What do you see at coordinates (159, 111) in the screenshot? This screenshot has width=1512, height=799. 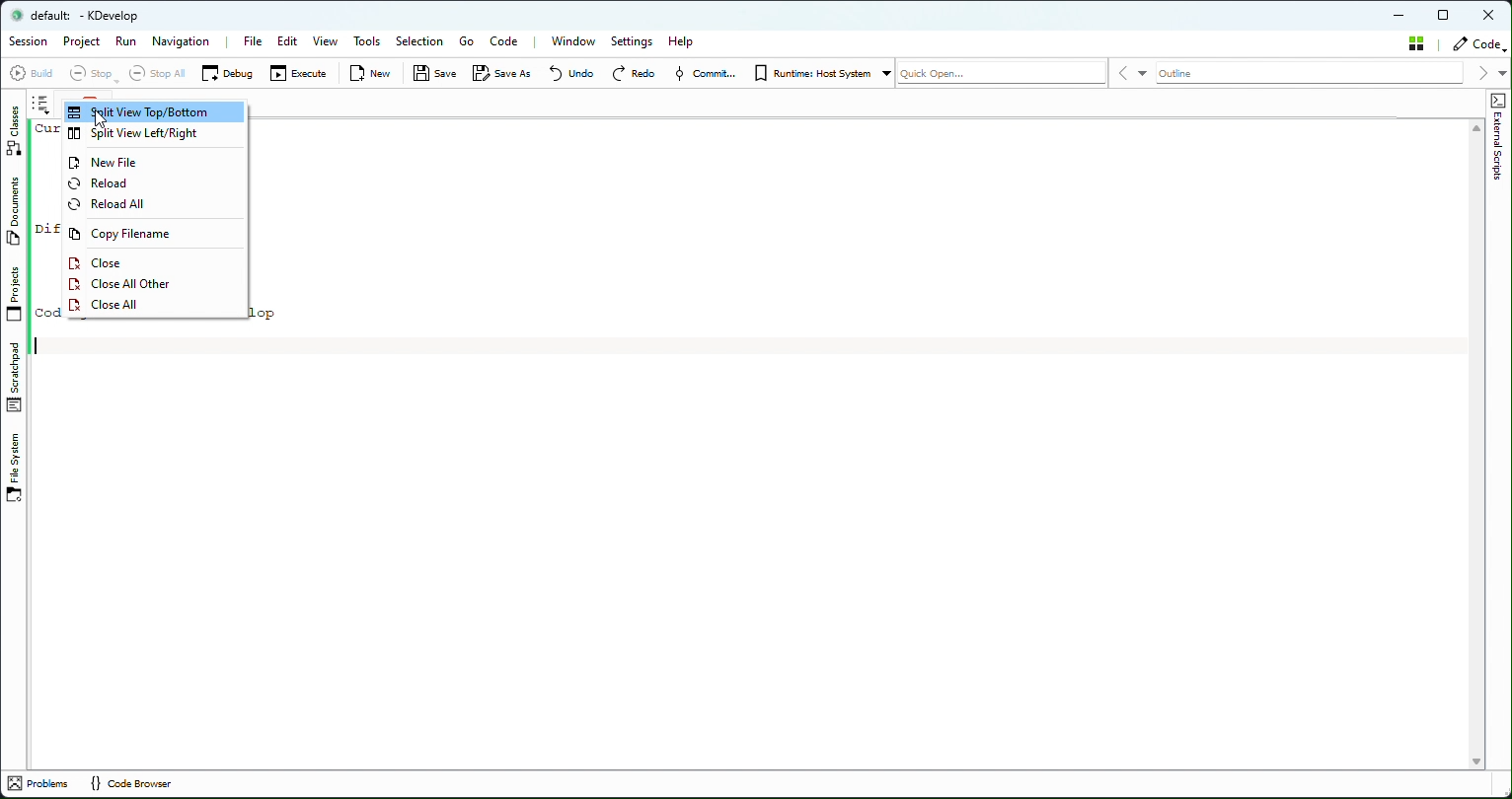 I see `Split view Top/bottom` at bounding box center [159, 111].